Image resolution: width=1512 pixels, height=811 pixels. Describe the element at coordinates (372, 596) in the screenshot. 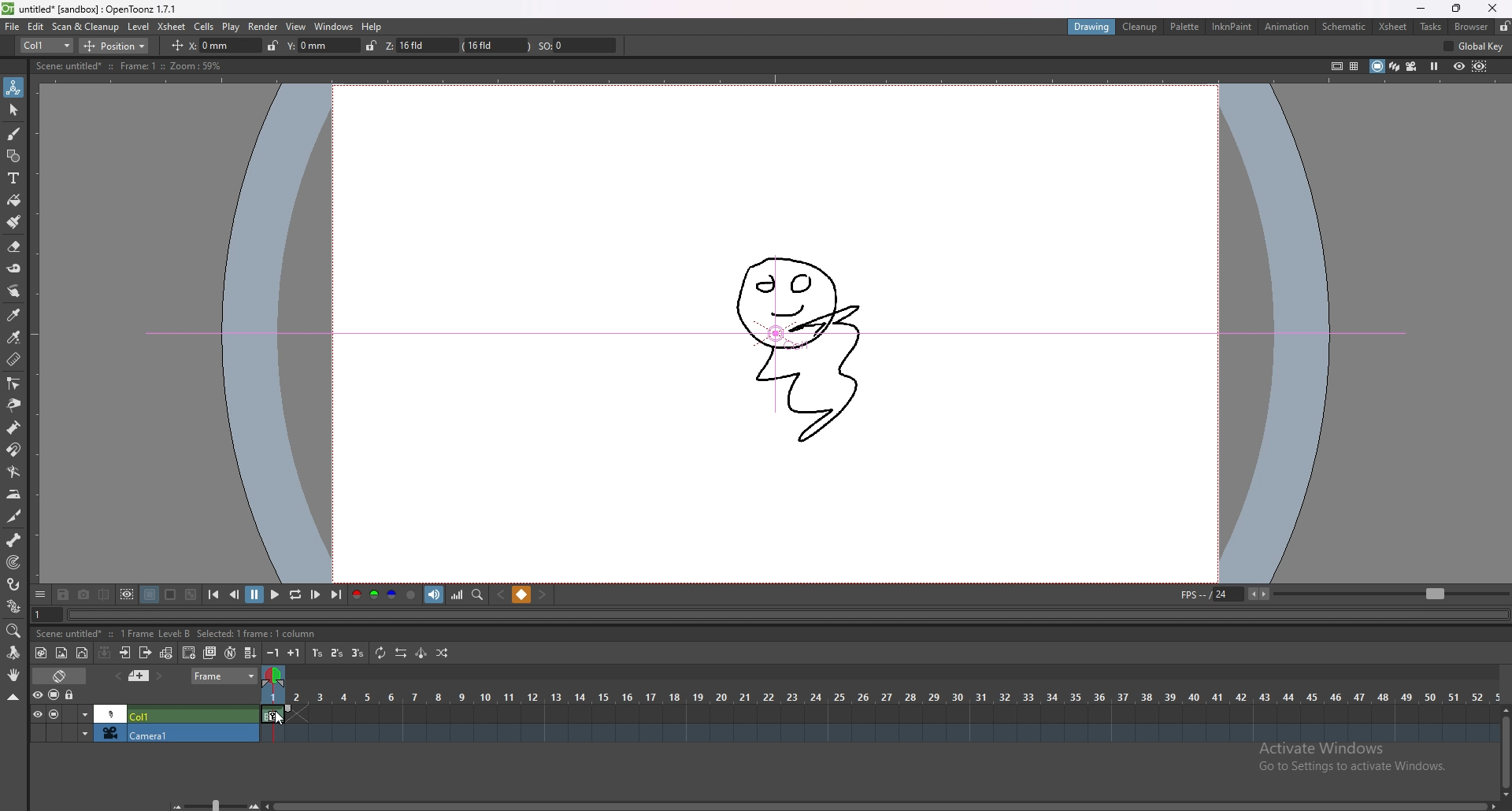

I see `green channel` at that location.